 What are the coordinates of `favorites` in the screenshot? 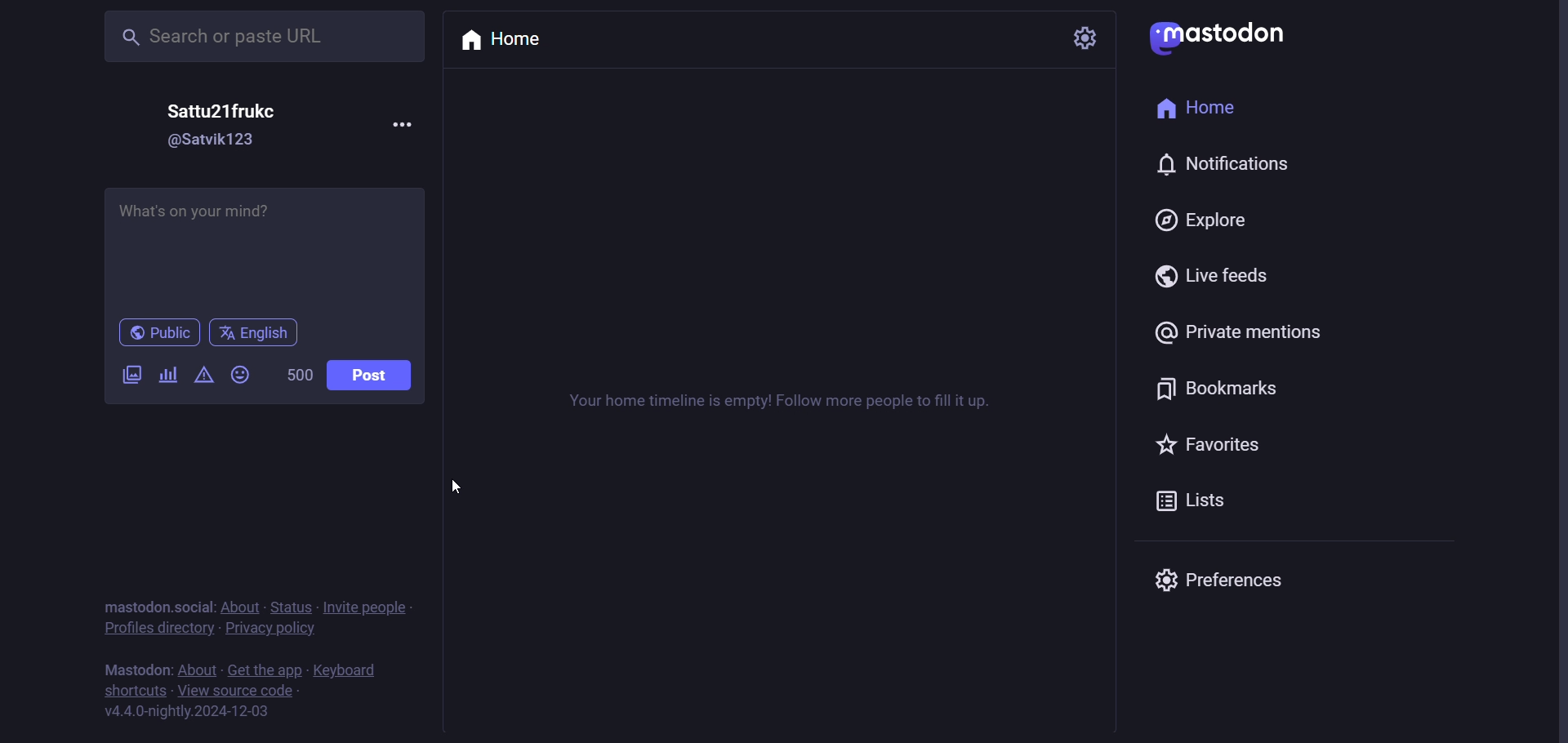 It's located at (1210, 447).